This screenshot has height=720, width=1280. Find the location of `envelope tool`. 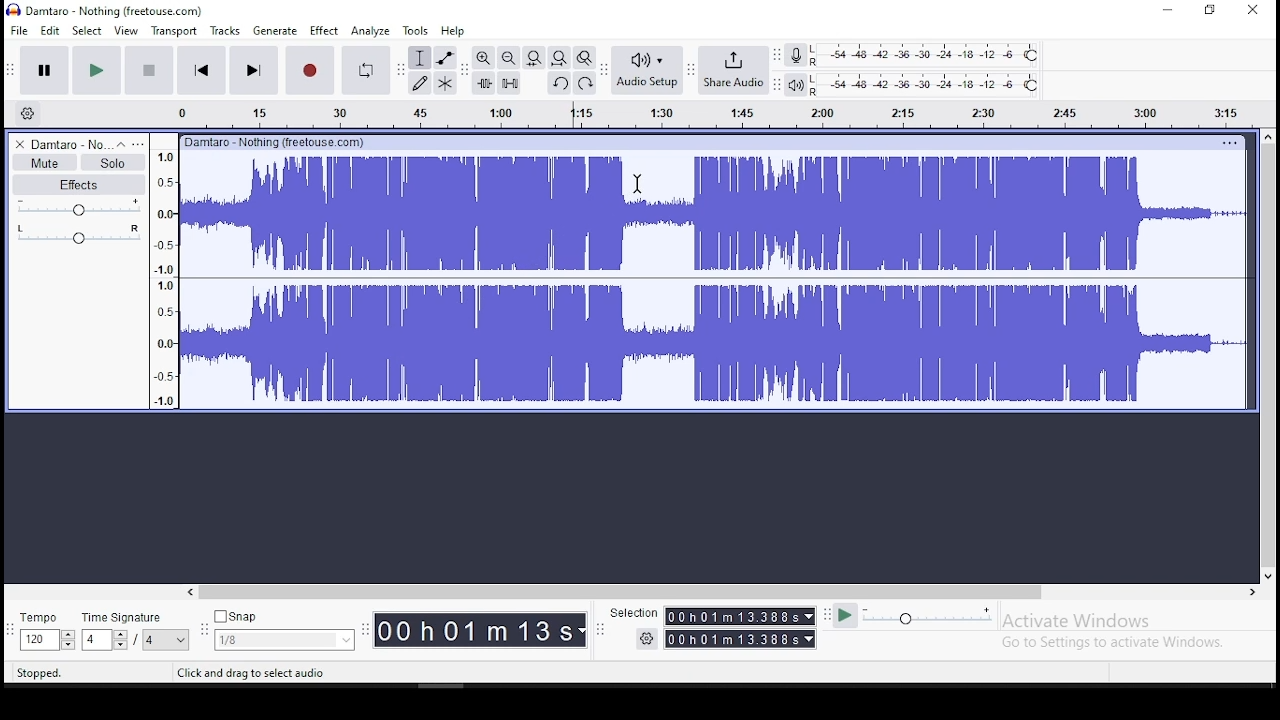

envelope tool is located at coordinates (445, 57).